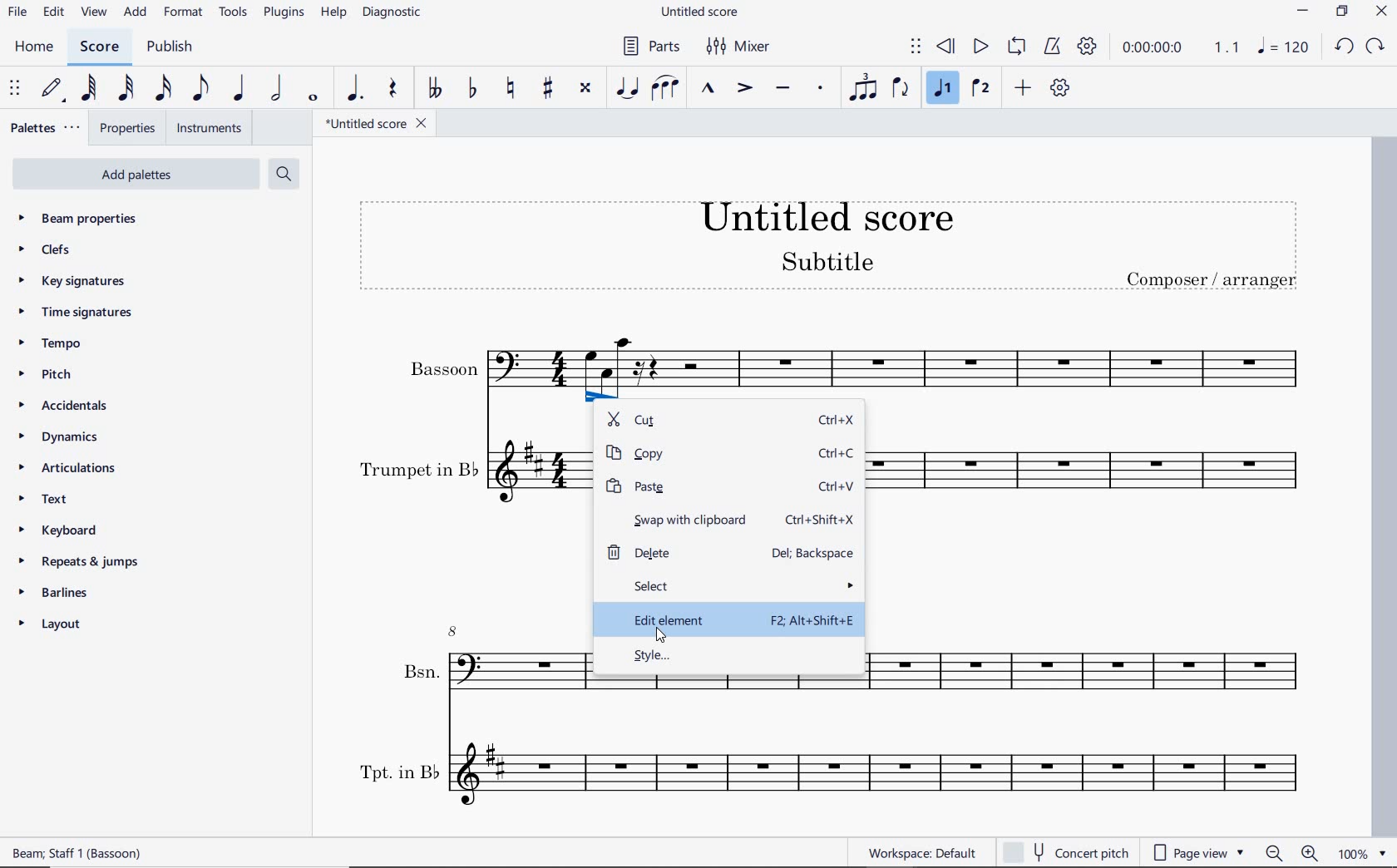 The height and width of the screenshot is (868, 1397). Describe the element at coordinates (1345, 47) in the screenshot. I see `UNDO` at that location.